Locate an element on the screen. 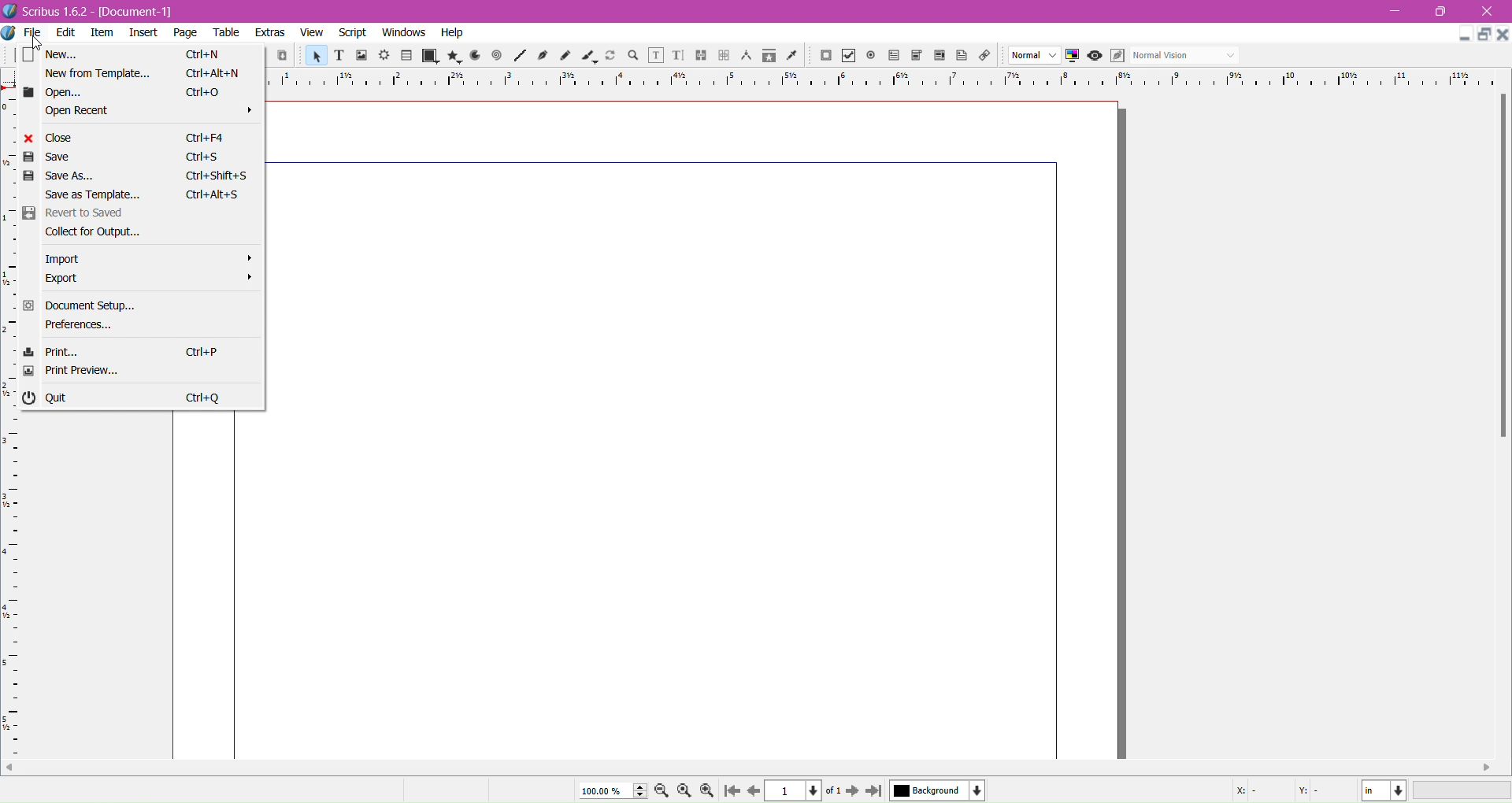 This screenshot has height=803, width=1512. Cursor is located at coordinates (39, 44).